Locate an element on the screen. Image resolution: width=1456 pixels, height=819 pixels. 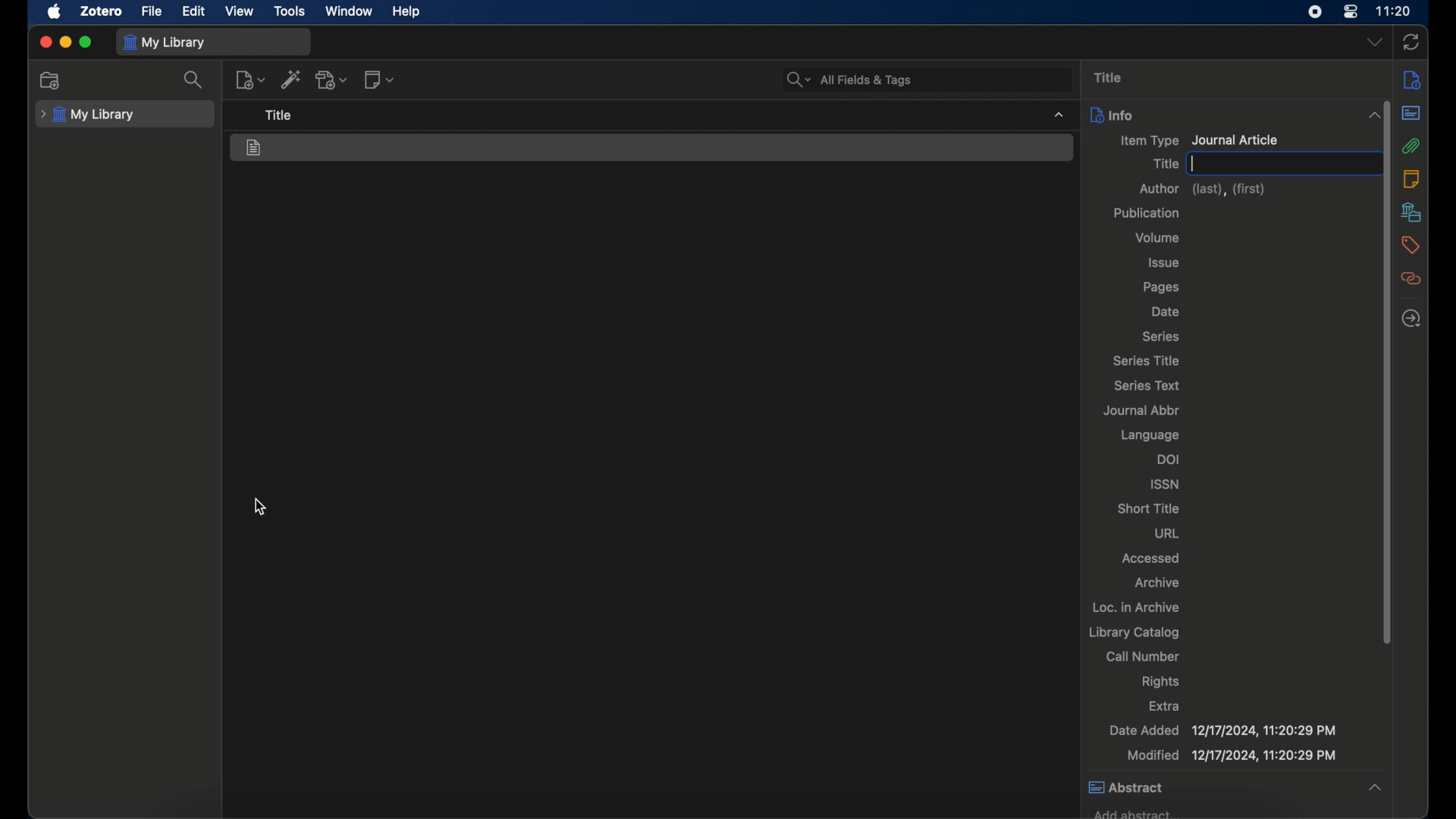
journal abbr is located at coordinates (1141, 409).